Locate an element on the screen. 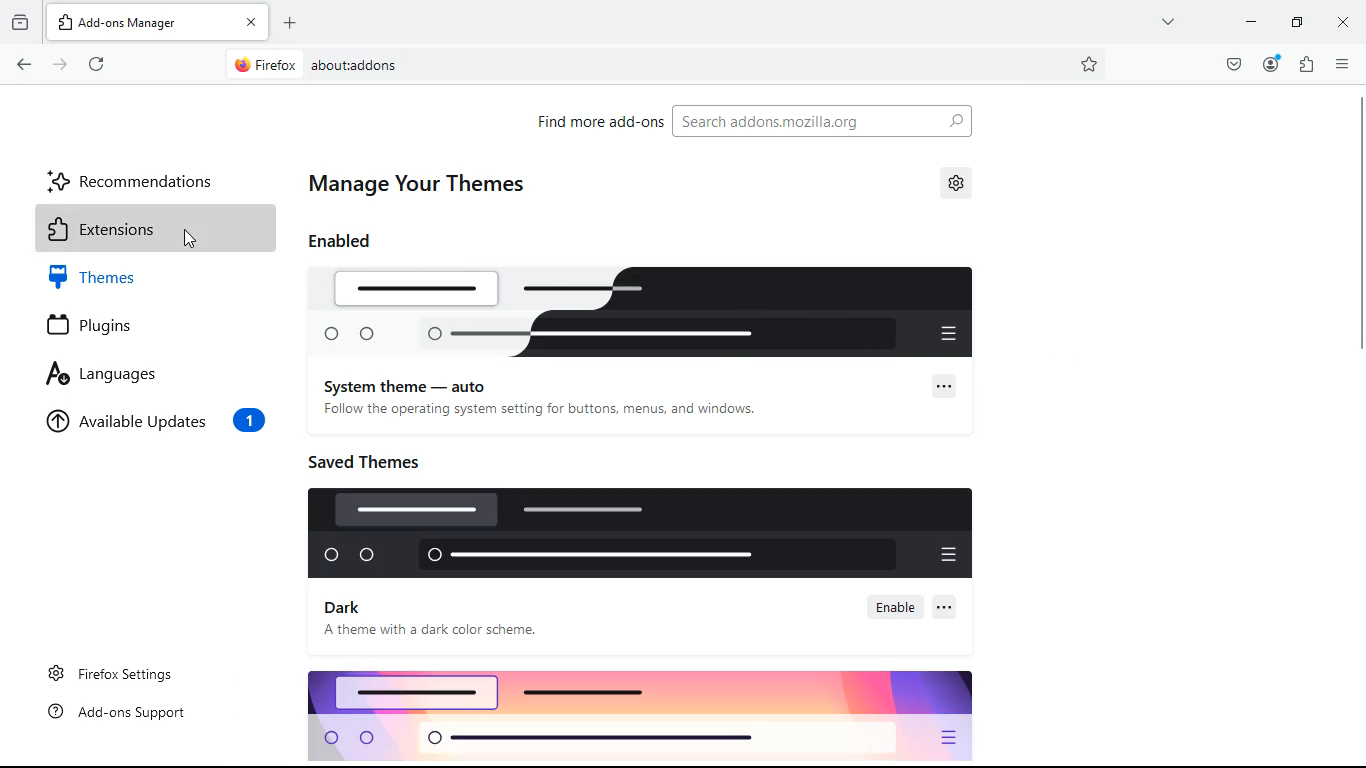 The height and width of the screenshot is (768, 1366). dark is located at coordinates (343, 608).